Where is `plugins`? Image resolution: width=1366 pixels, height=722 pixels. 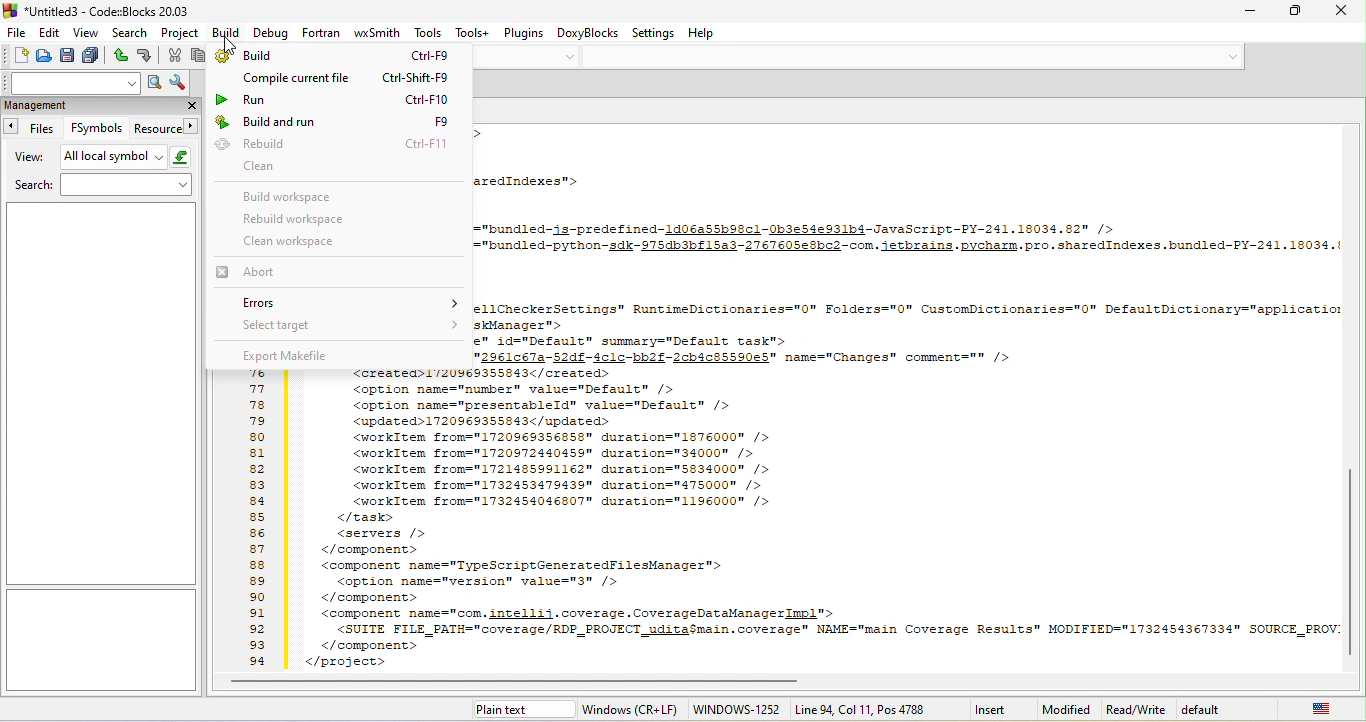
plugins is located at coordinates (528, 33).